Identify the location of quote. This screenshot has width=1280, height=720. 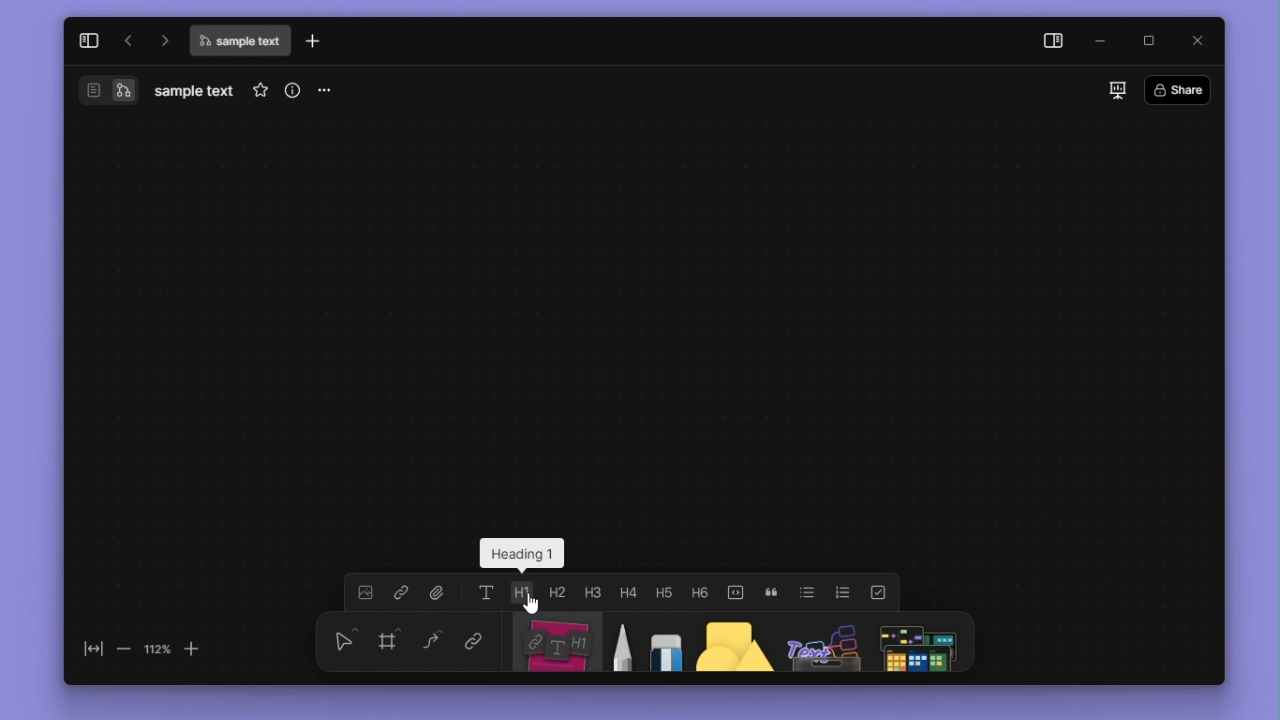
(771, 593).